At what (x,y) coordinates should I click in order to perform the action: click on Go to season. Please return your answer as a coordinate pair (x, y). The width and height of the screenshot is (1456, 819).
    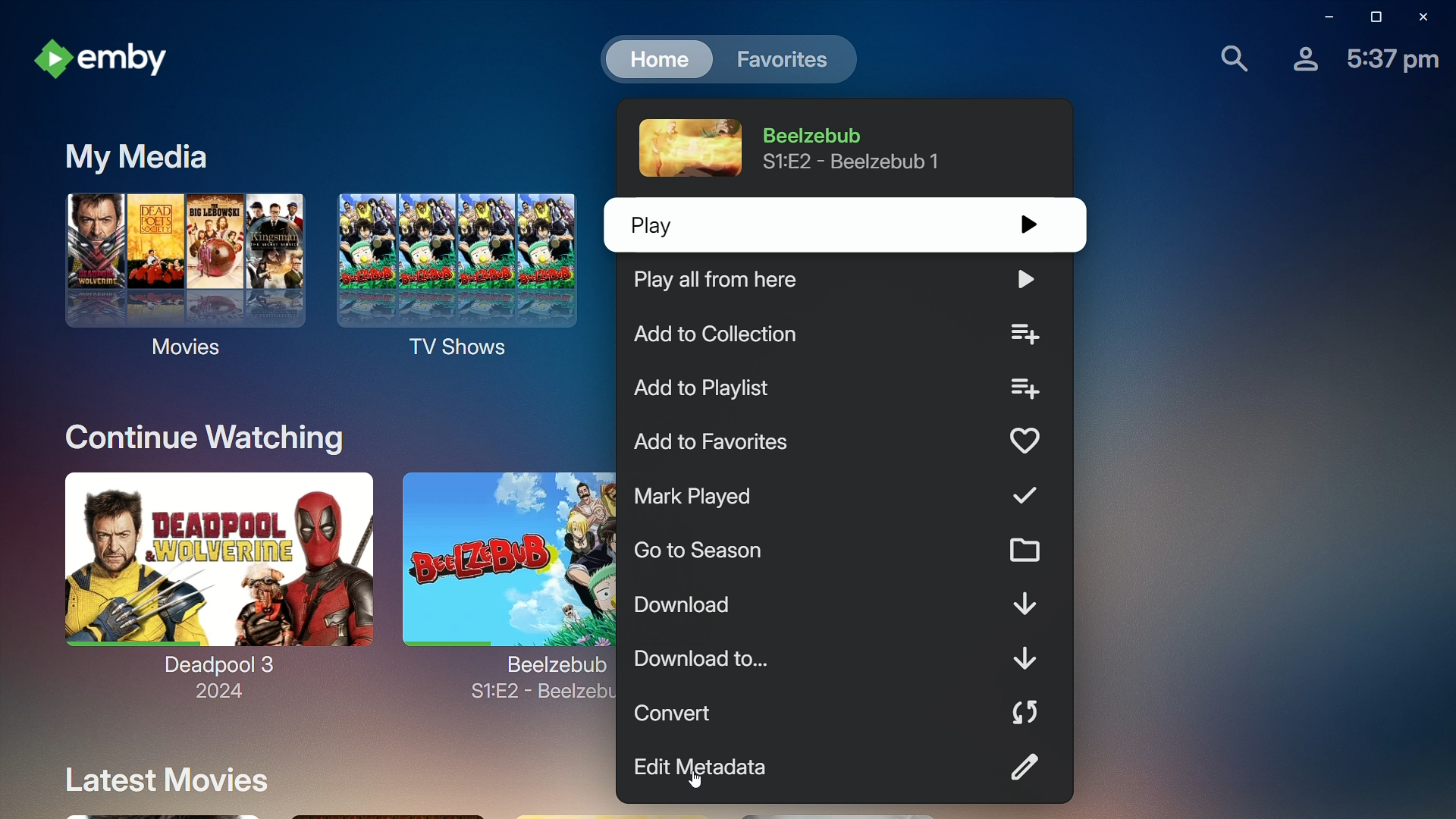
    Looking at the image, I should click on (839, 551).